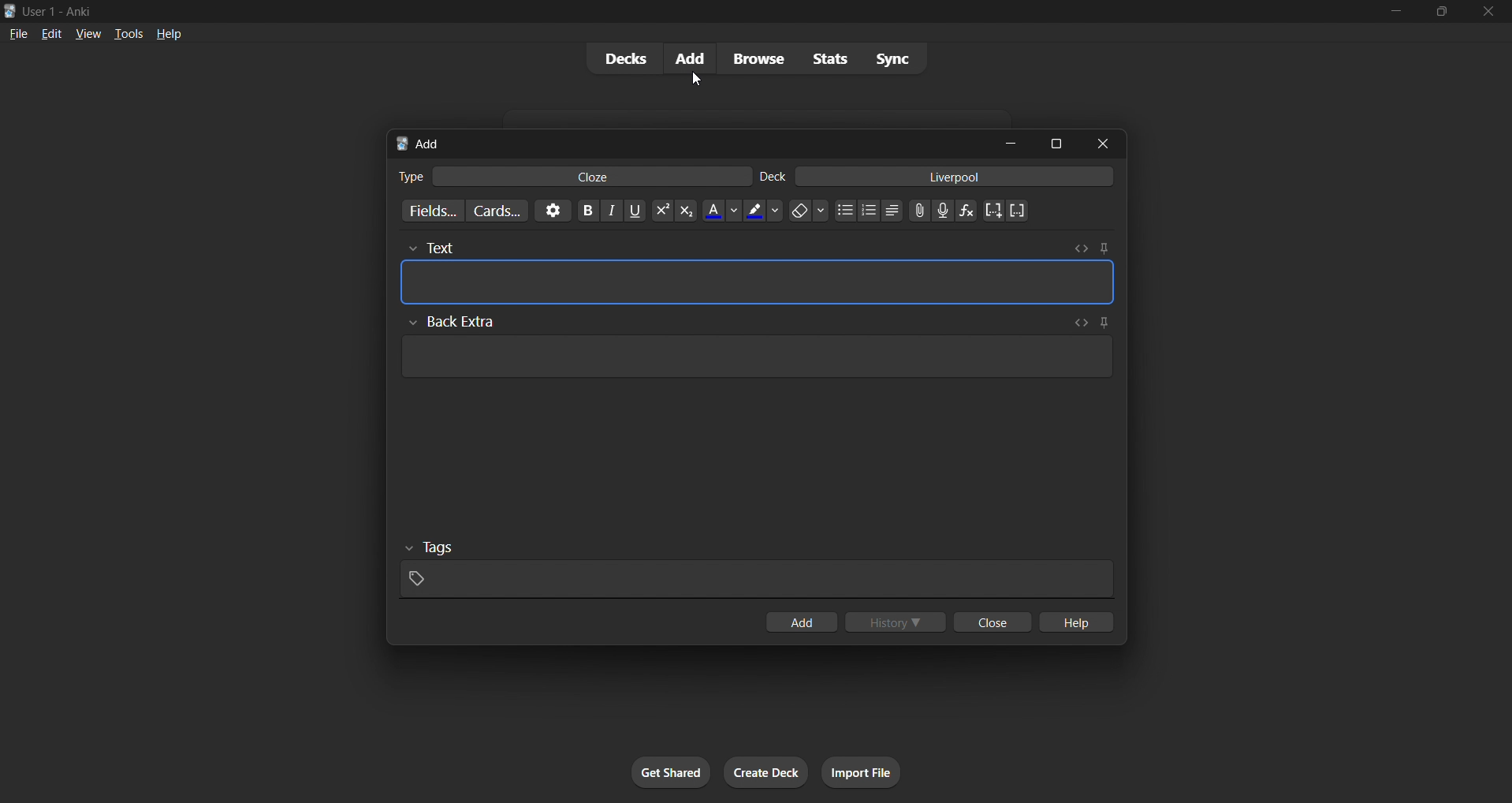 The image size is (1512, 803). What do you see at coordinates (896, 214) in the screenshot?
I see `alignment` at bounding box center [896, 214].